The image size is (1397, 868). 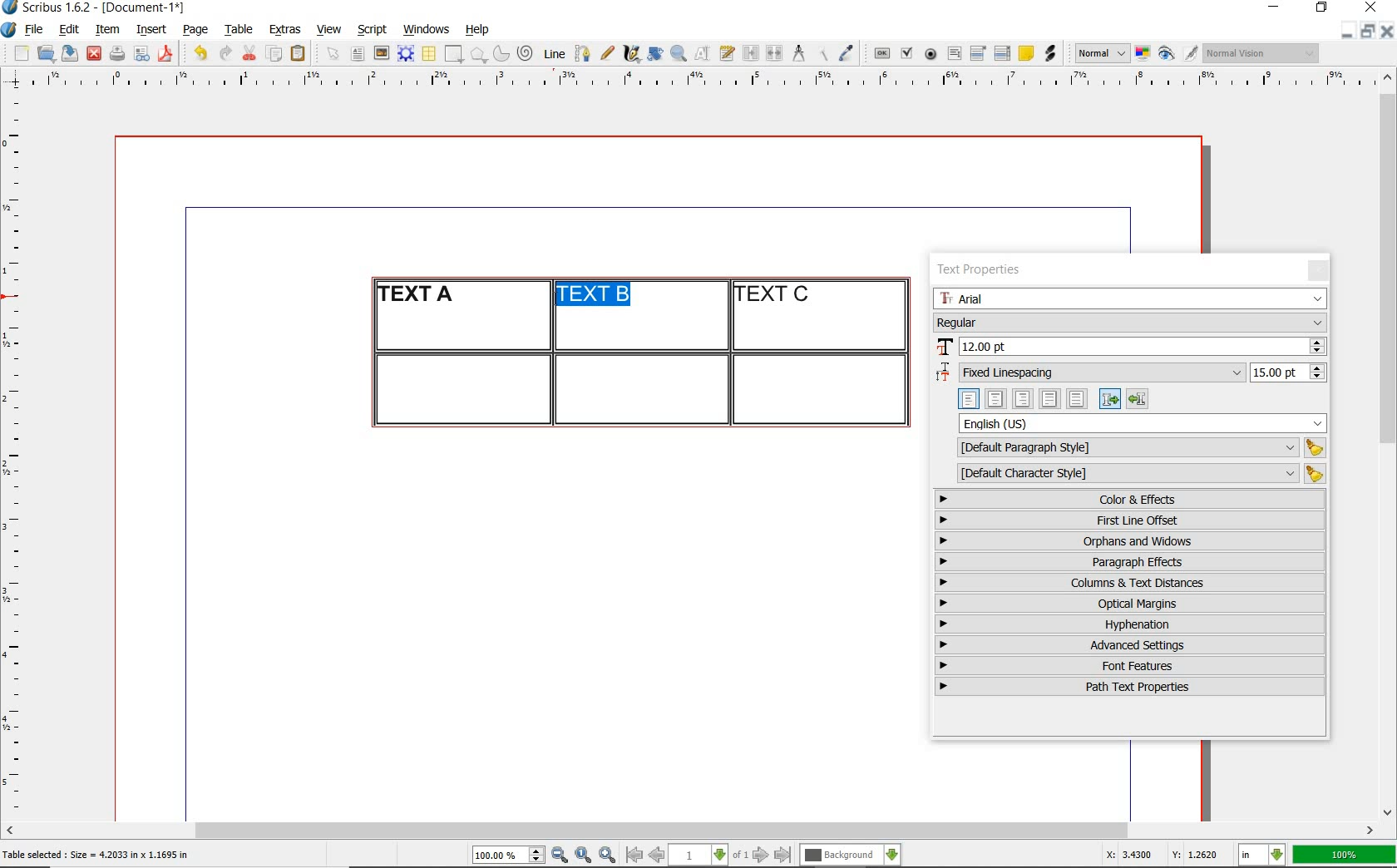 What do you see at coordinates (1130, 298) in the screenshot?
I see `font family` at bounding box center [1130, 298].